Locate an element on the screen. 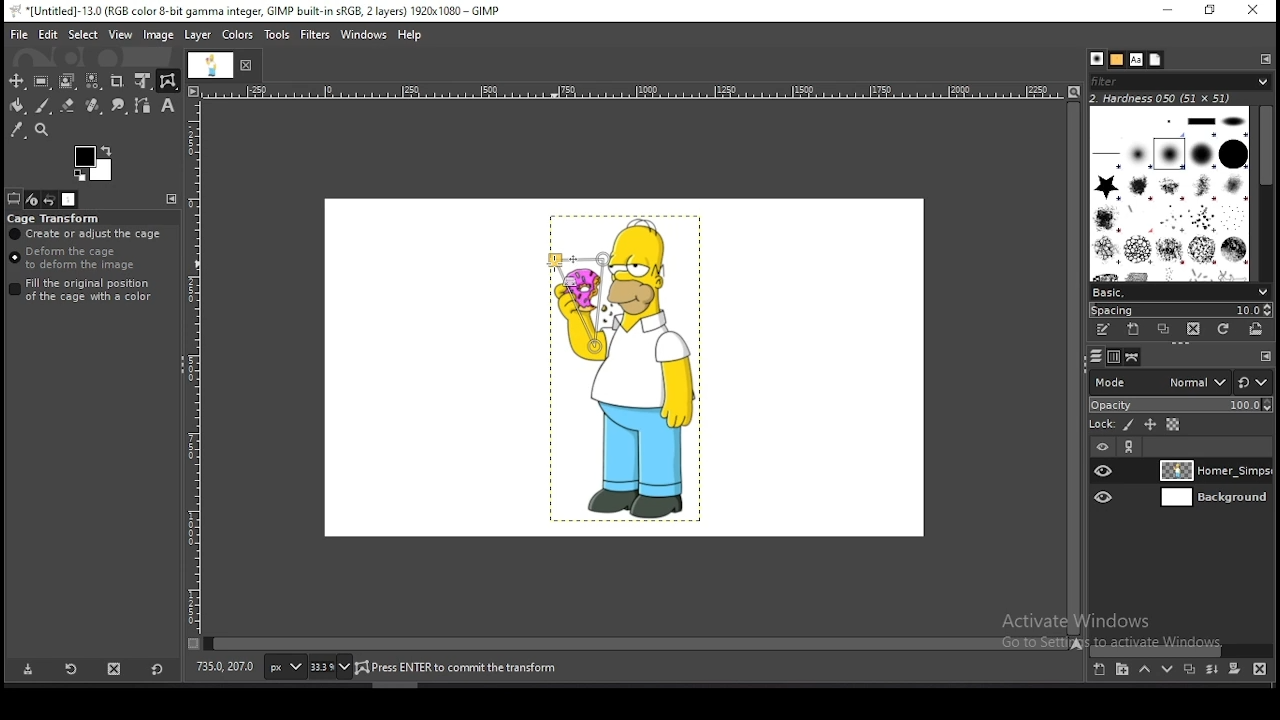 This screenshot has height=720, width=1280. opacity is located at coordinates (1180, 404).